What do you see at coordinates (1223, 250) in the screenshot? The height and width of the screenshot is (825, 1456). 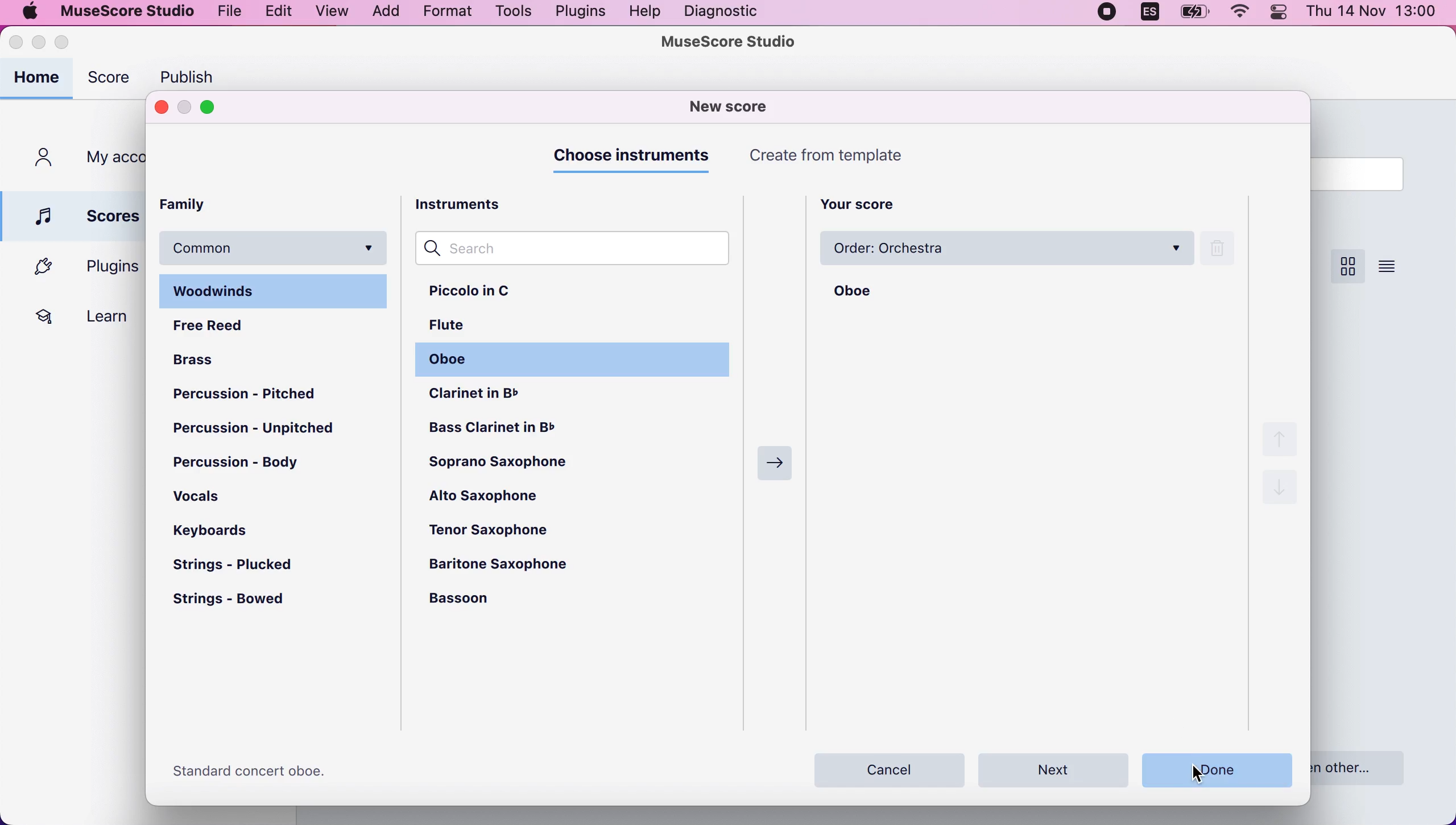 I see `remove` at bounding box center [1223, 250].